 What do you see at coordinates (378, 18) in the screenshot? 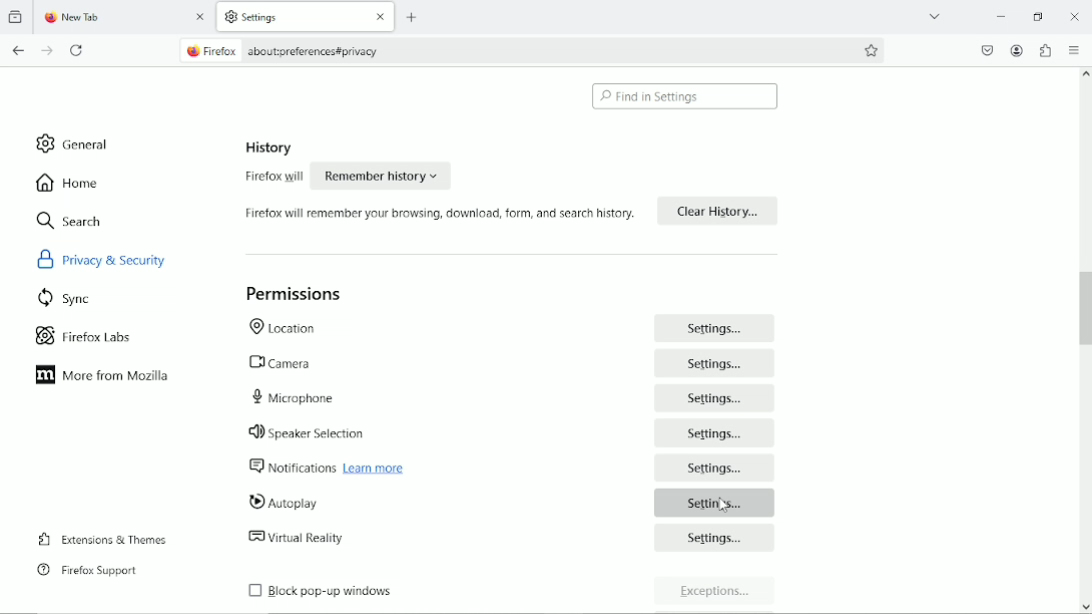
I see `close` at bounding box center [378, 18].